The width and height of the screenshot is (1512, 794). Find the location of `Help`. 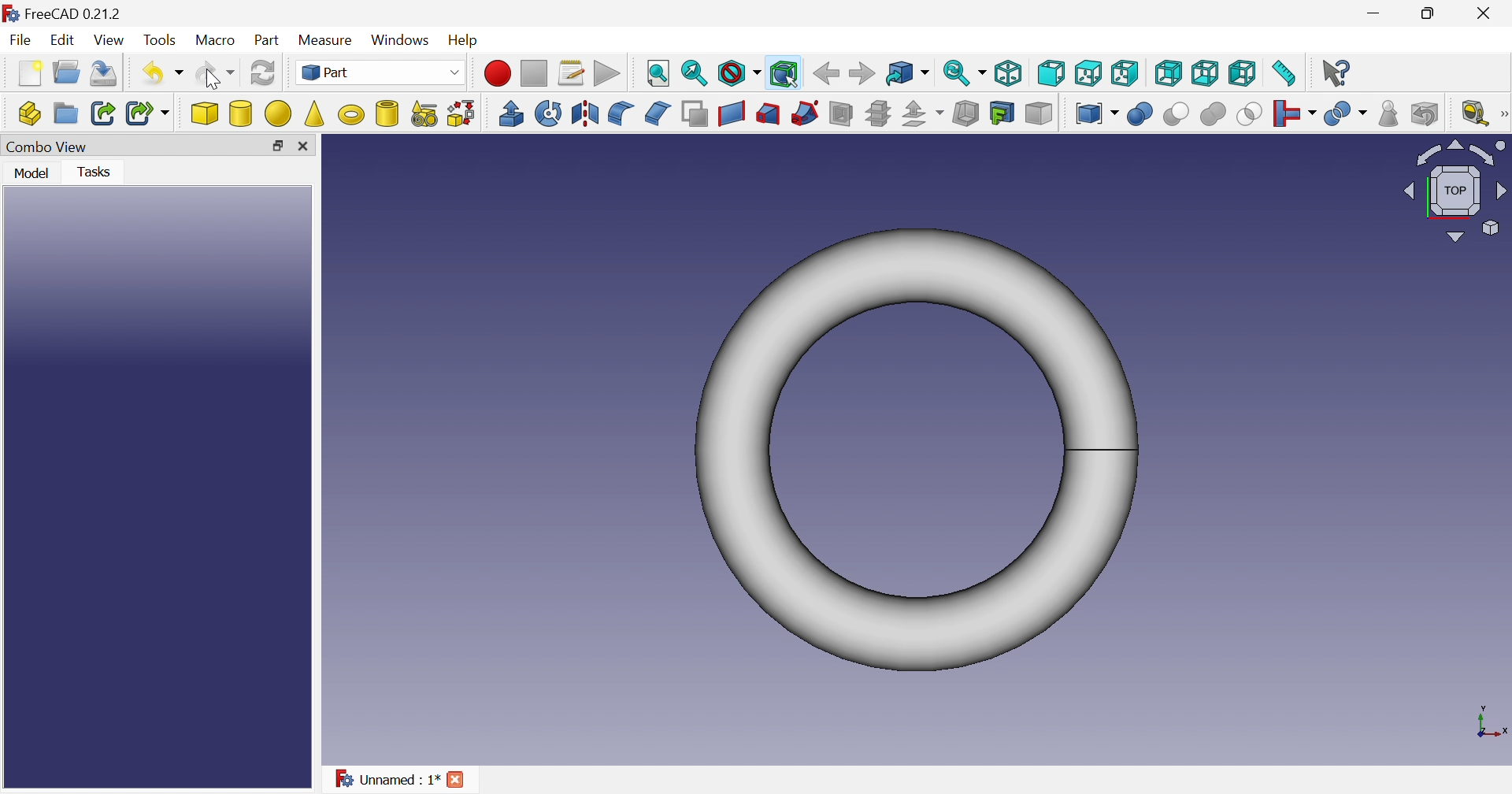

Help is located at coordinates (463, 41).